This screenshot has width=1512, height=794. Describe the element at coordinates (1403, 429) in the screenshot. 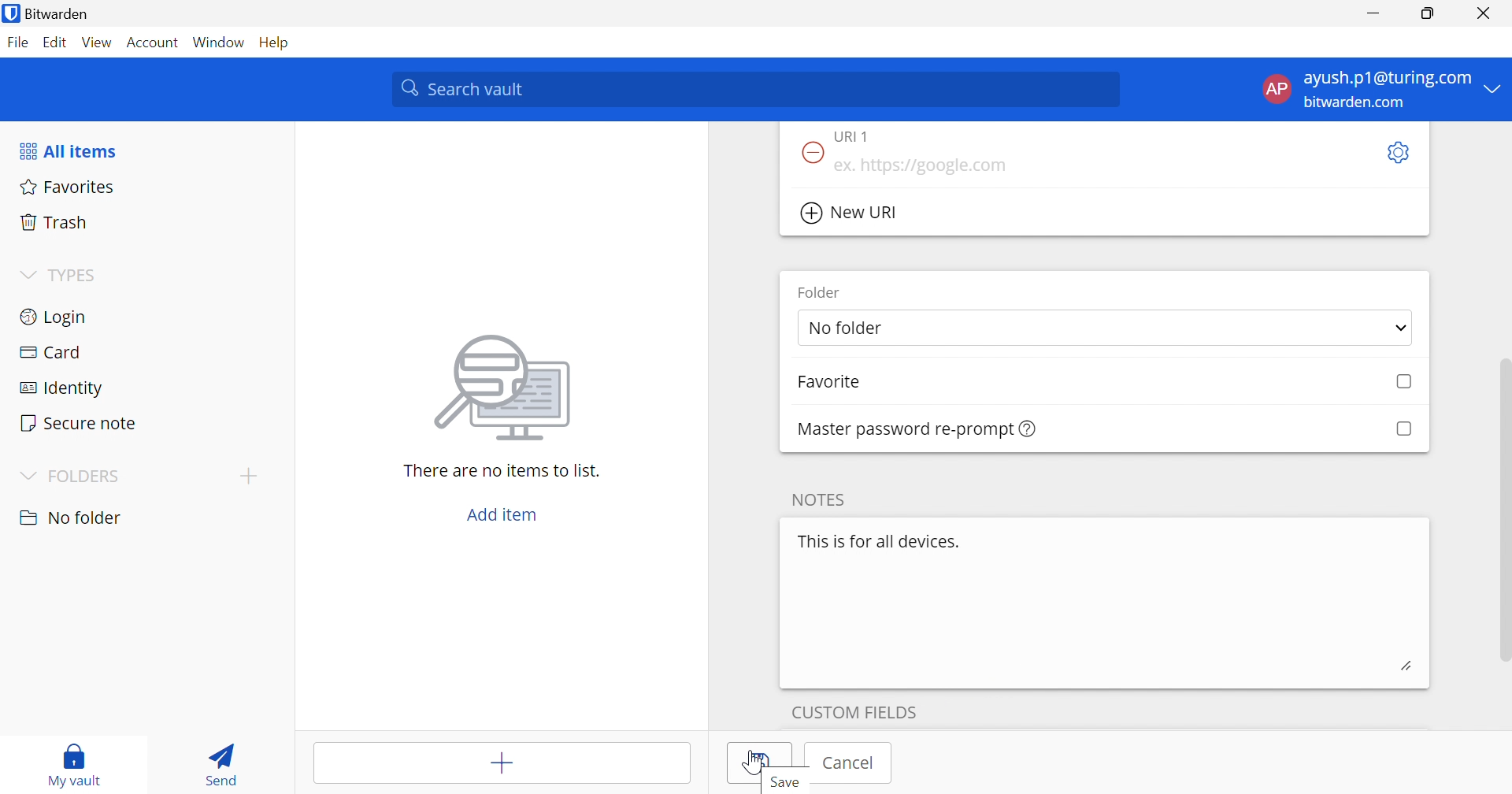

I see `Checkbox` at that location.